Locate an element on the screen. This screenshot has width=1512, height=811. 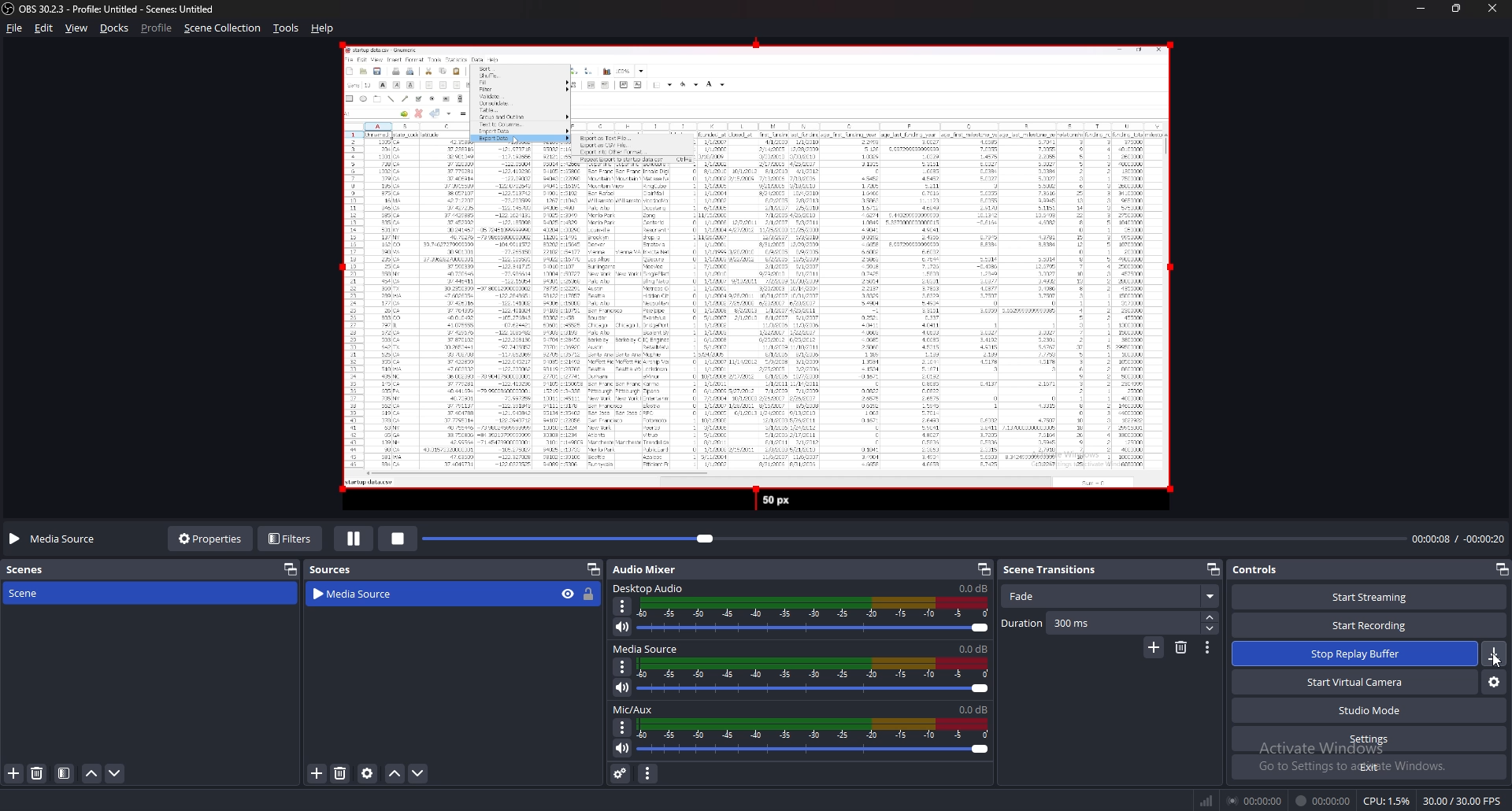
pause is located at coordinates (353, 540).